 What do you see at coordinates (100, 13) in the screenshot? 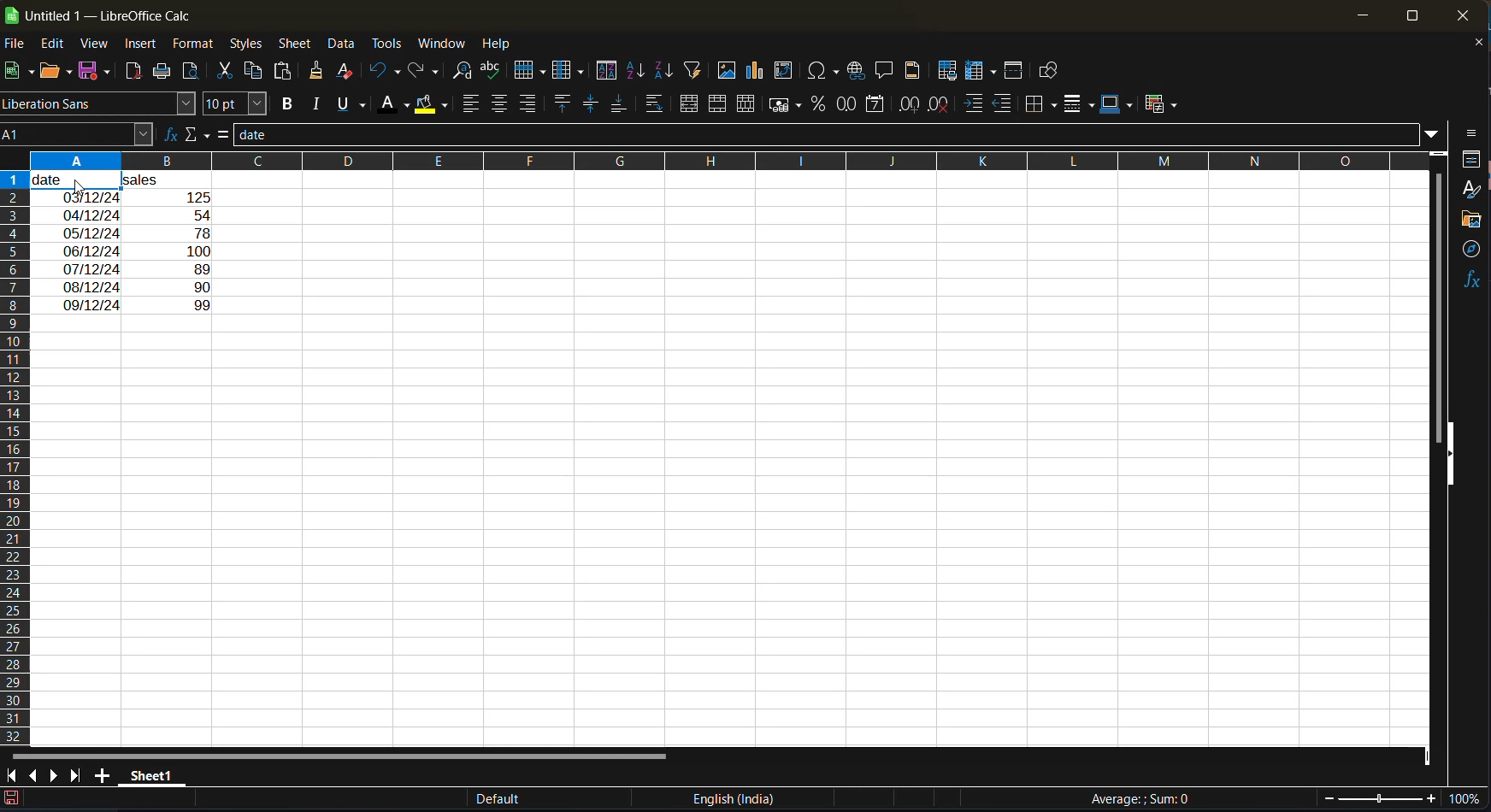
I see `app name and file name` at bounding box center [100, 13].